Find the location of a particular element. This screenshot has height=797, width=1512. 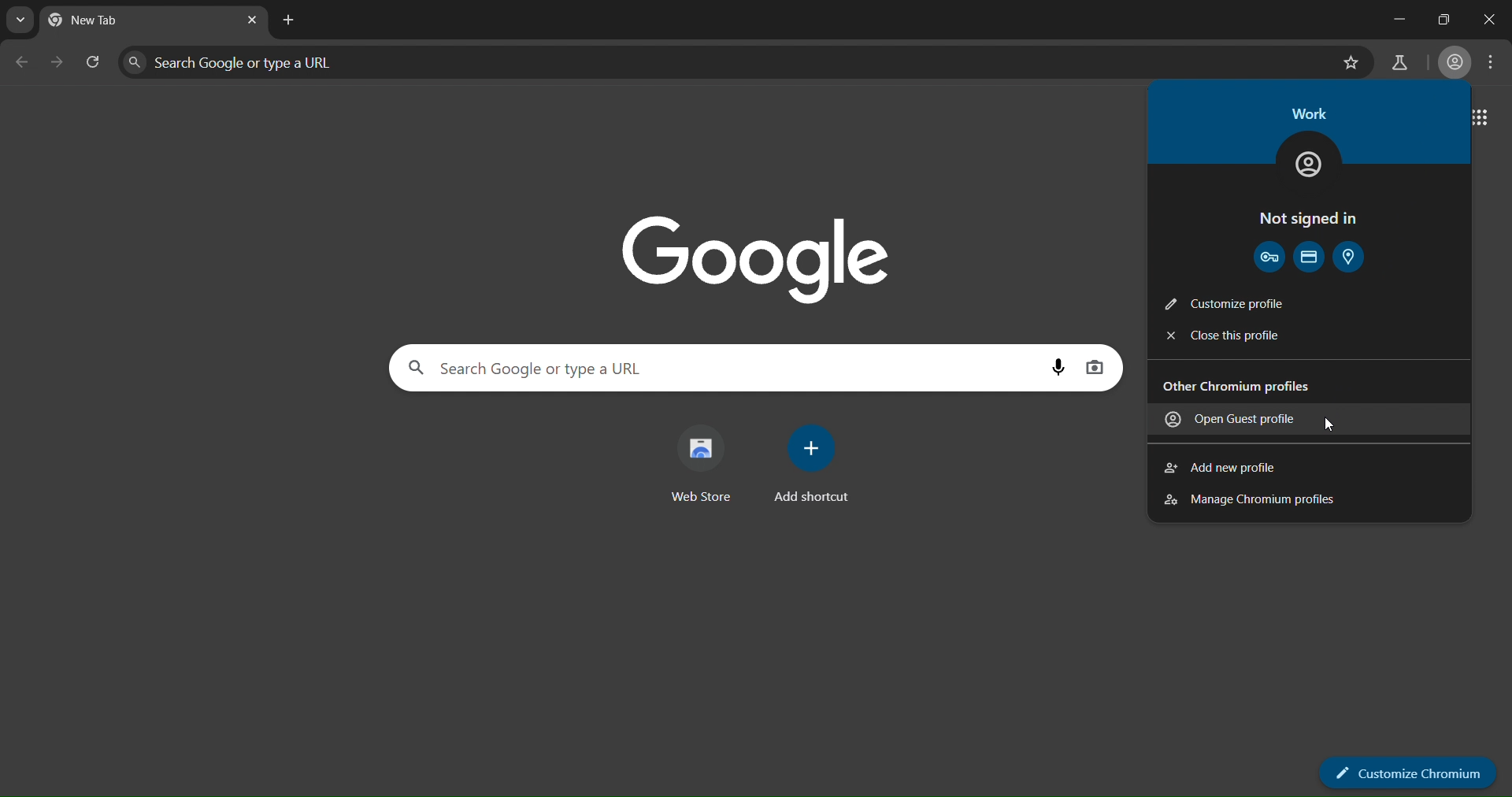

add new profile is located at coordinates (1225, 467).